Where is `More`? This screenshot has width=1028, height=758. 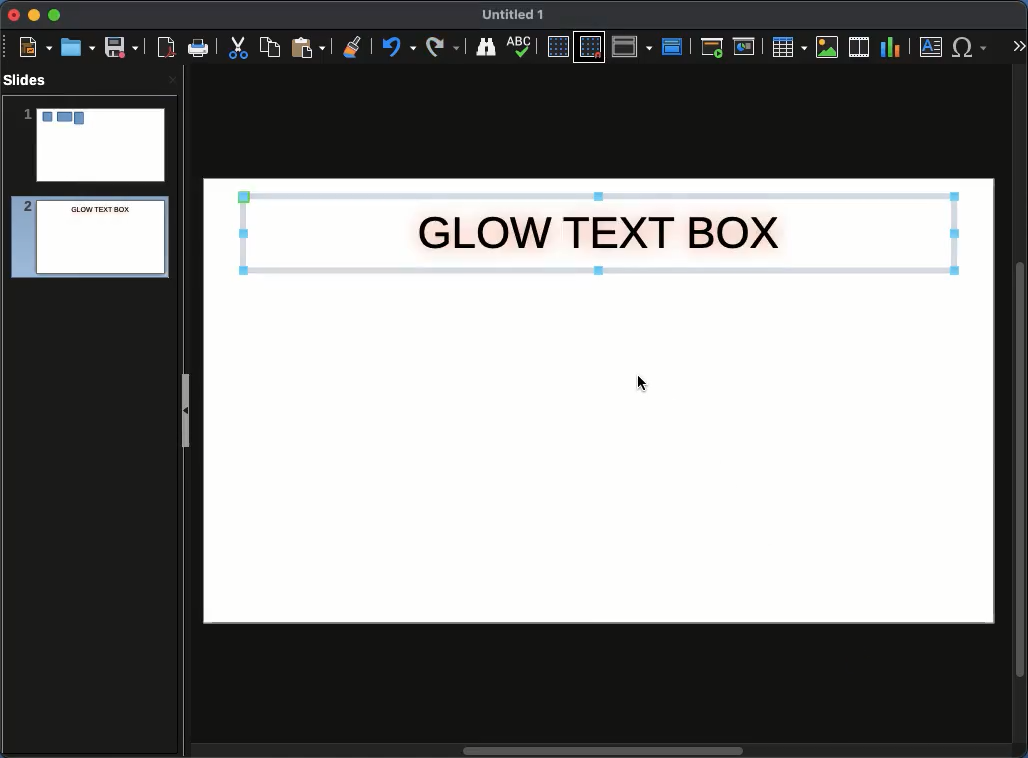
More is located at coordinates (1018, 48).